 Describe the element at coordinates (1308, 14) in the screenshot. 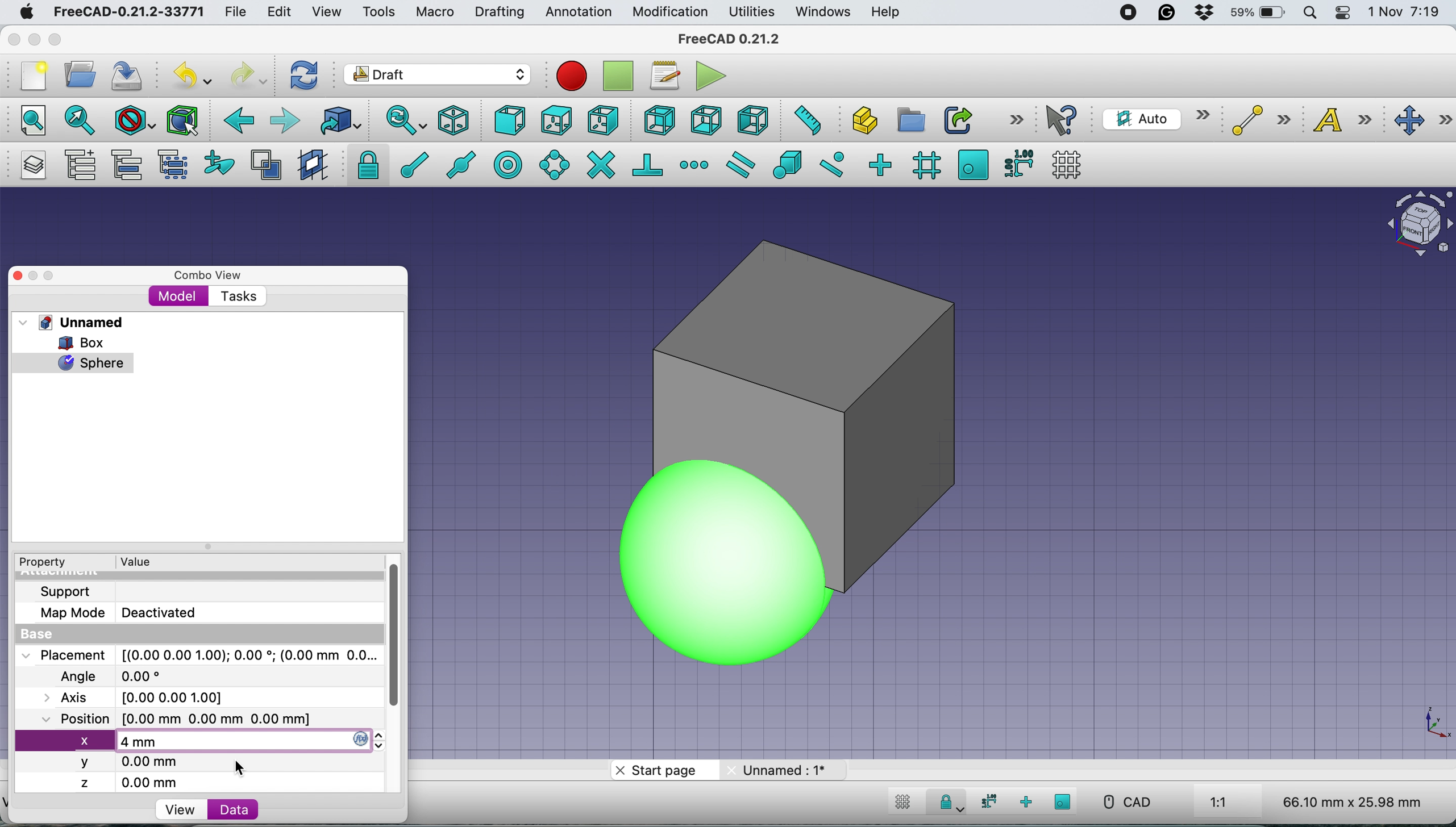

I see `spotlight search` at that location.